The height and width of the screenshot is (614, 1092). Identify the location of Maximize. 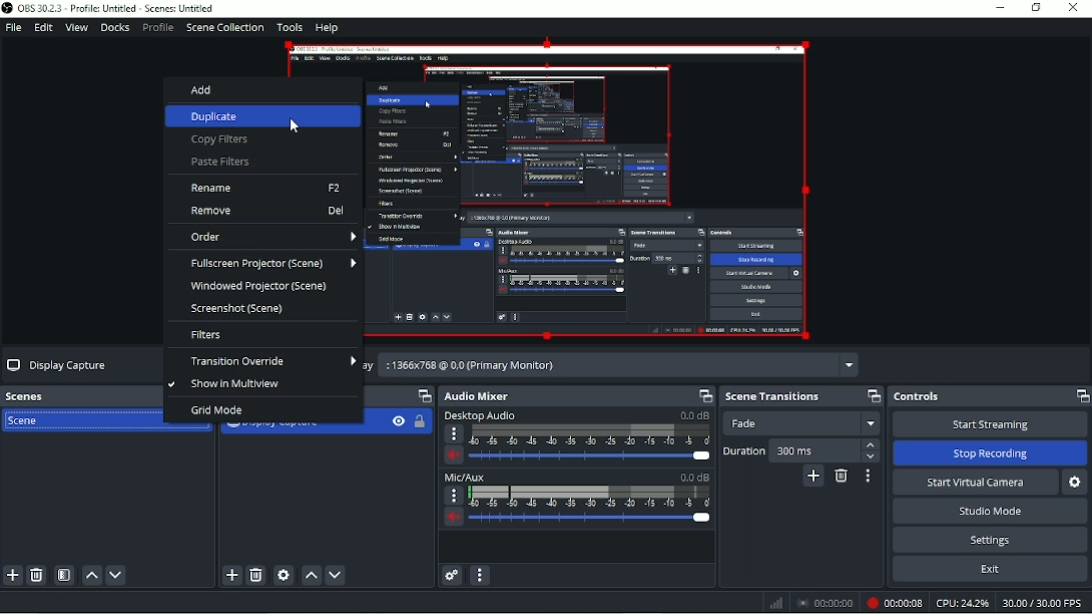
(702, 395).